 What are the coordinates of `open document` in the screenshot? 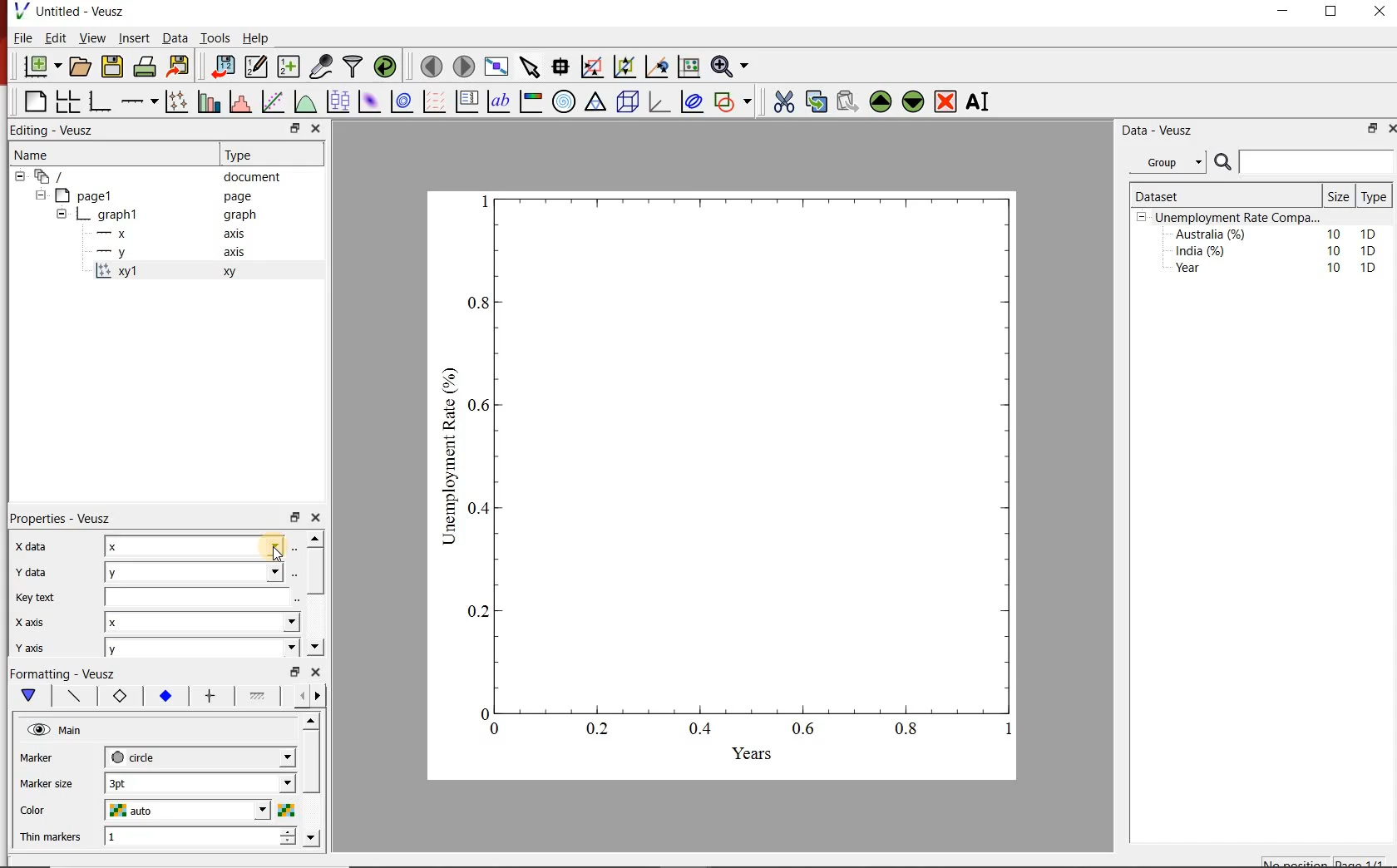 It's located at (81, 67).